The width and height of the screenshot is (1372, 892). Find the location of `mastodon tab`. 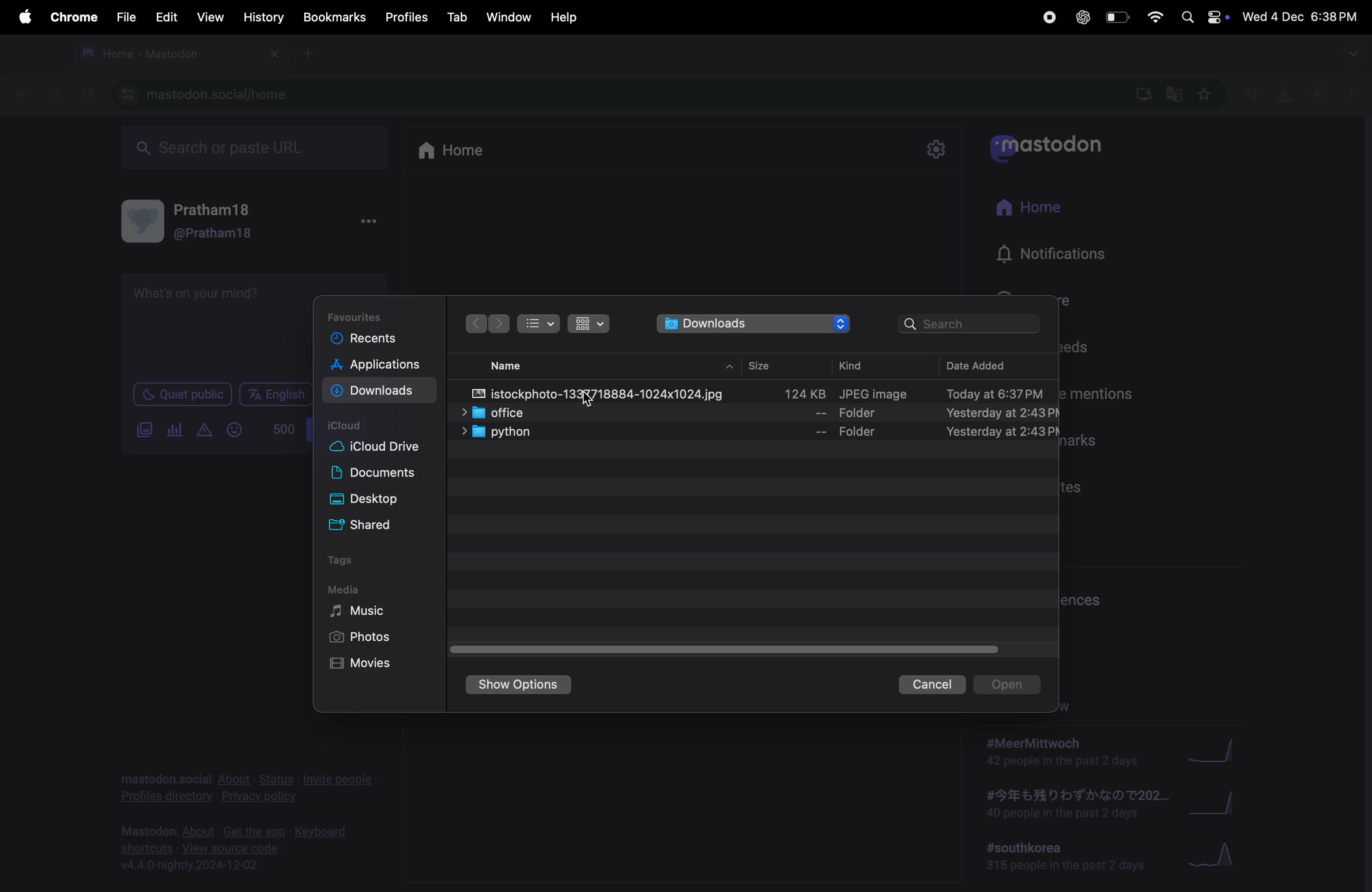

mastodon tab is located at coordinates (174, 55).